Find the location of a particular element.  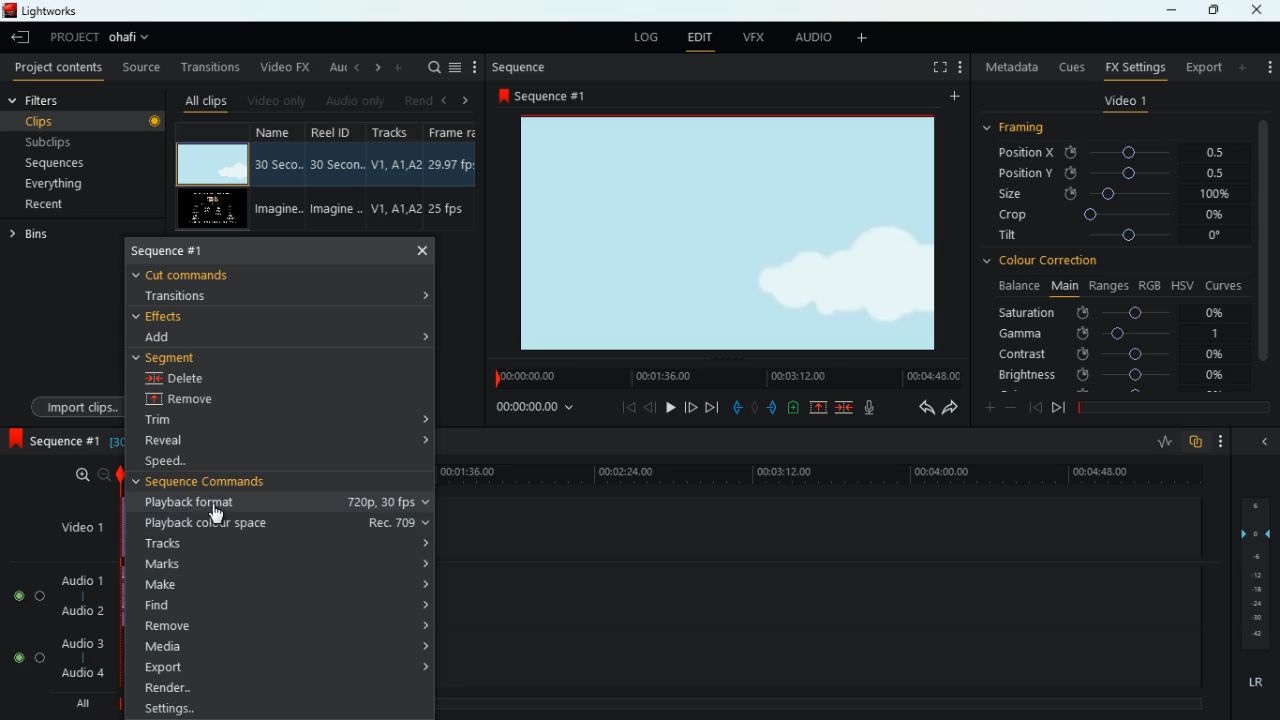

screen is located at coordinates (734, 235).